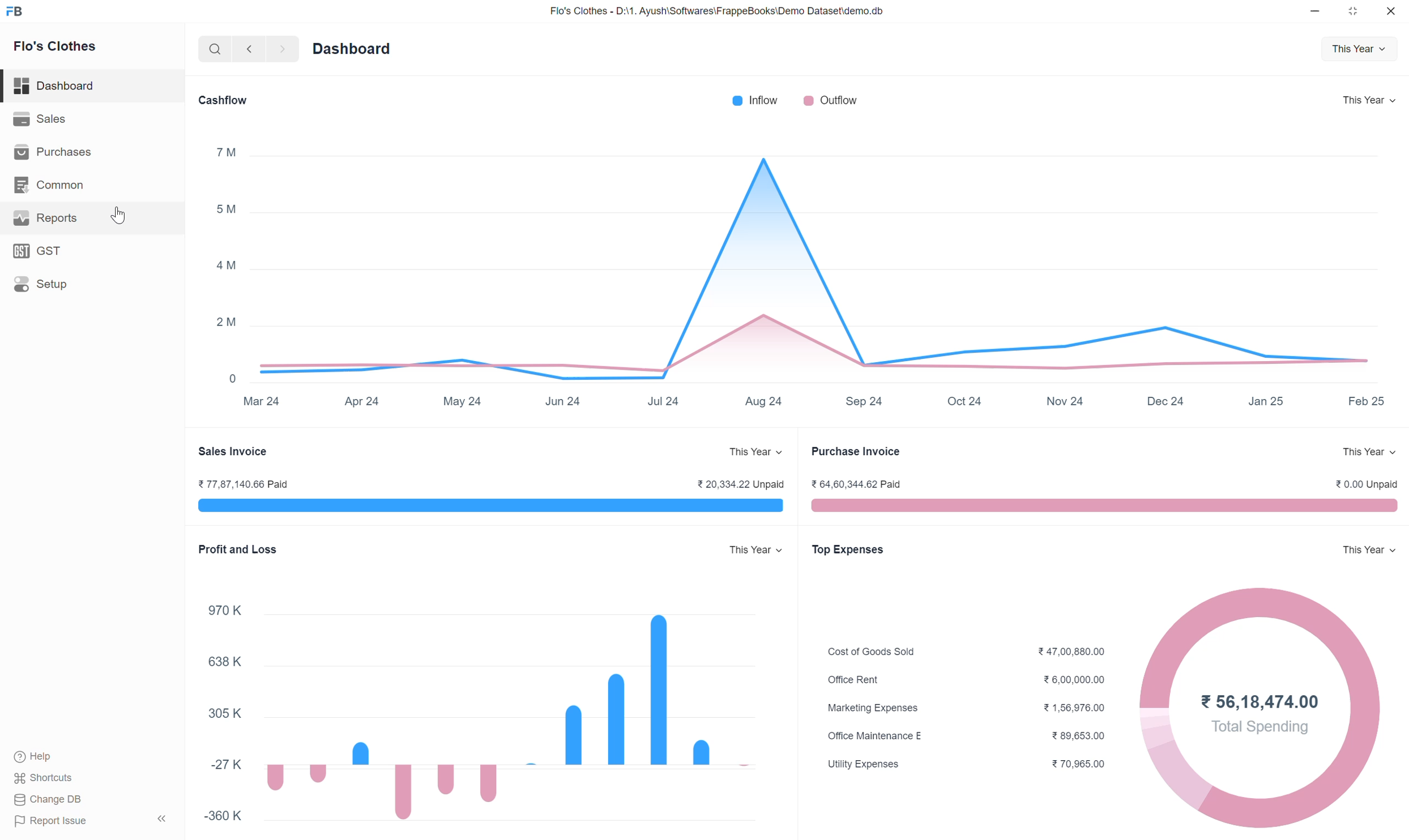 The height and width of the screenshot is (840, 1409). I want to click on purchase invoice, so click(855, 452).